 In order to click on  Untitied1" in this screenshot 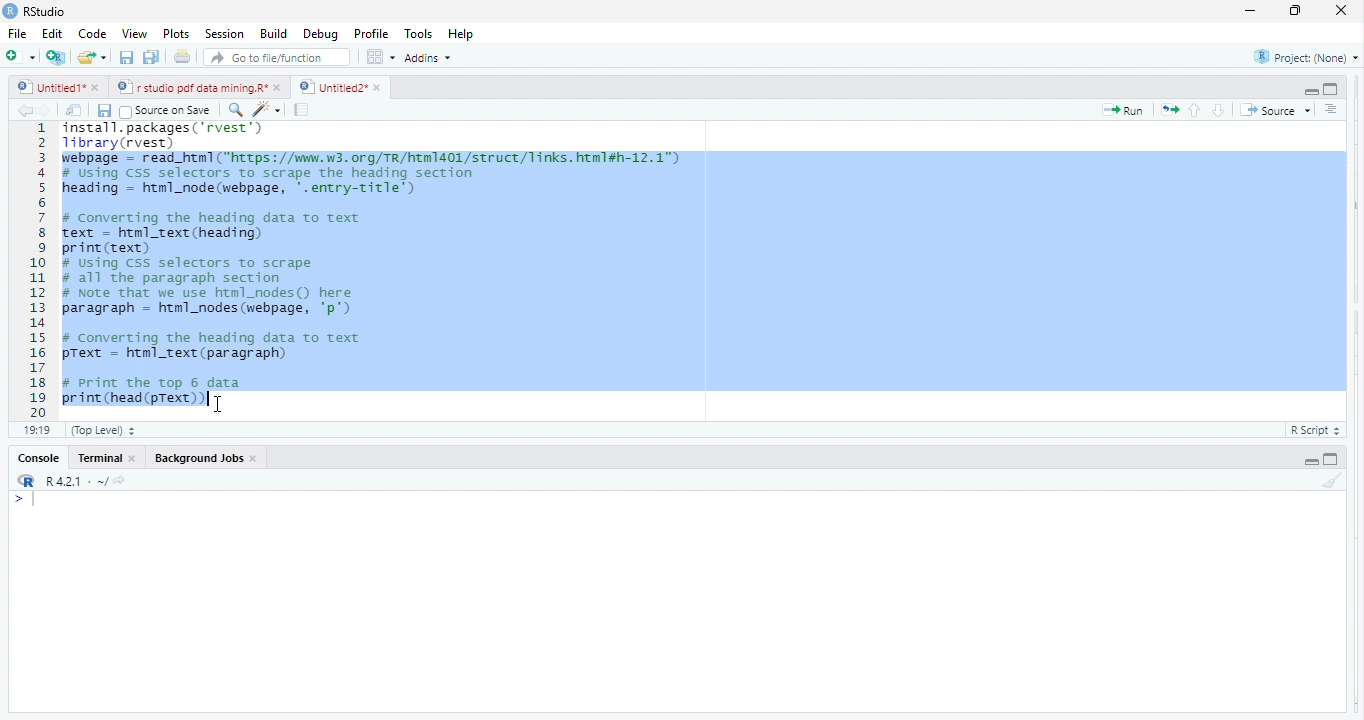, I will do `click(47, 87)`.